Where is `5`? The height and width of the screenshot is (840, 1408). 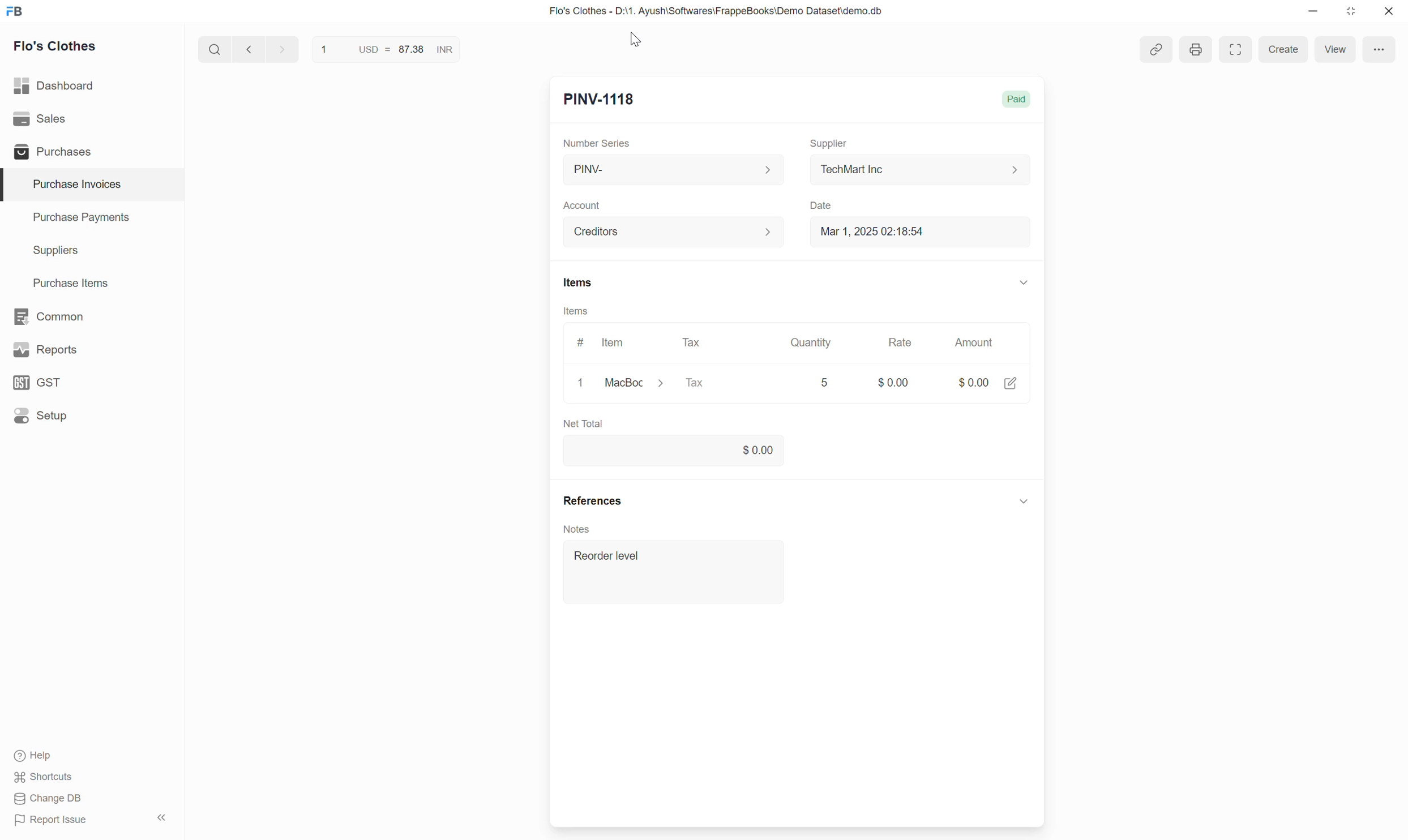 5 is located at coordinates (828, 383).